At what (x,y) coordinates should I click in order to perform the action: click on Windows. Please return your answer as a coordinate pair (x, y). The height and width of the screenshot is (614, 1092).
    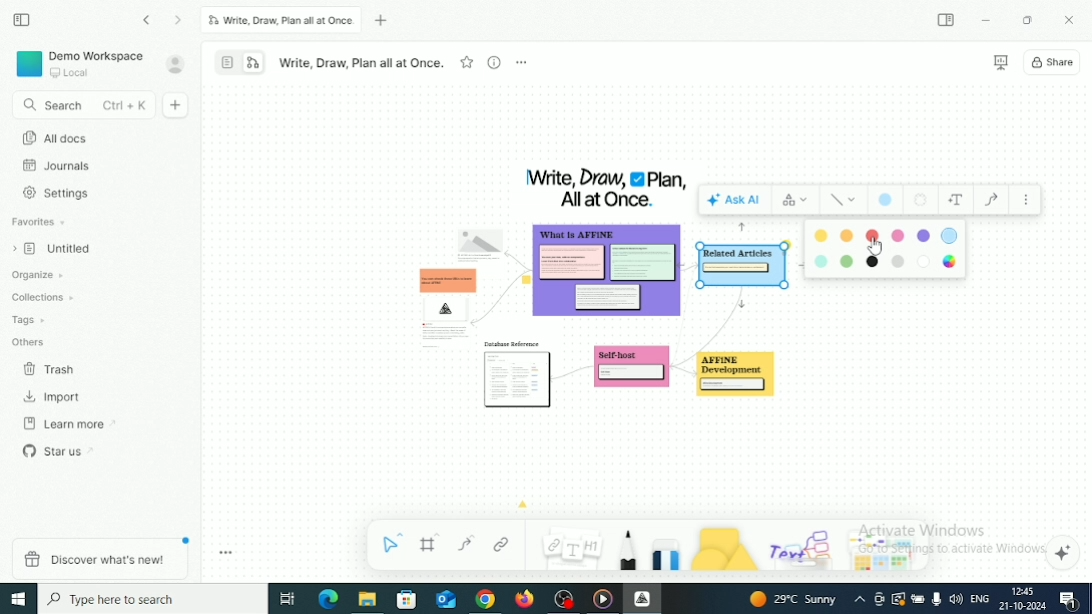
    Looking at the image, I should click on (19, 599).